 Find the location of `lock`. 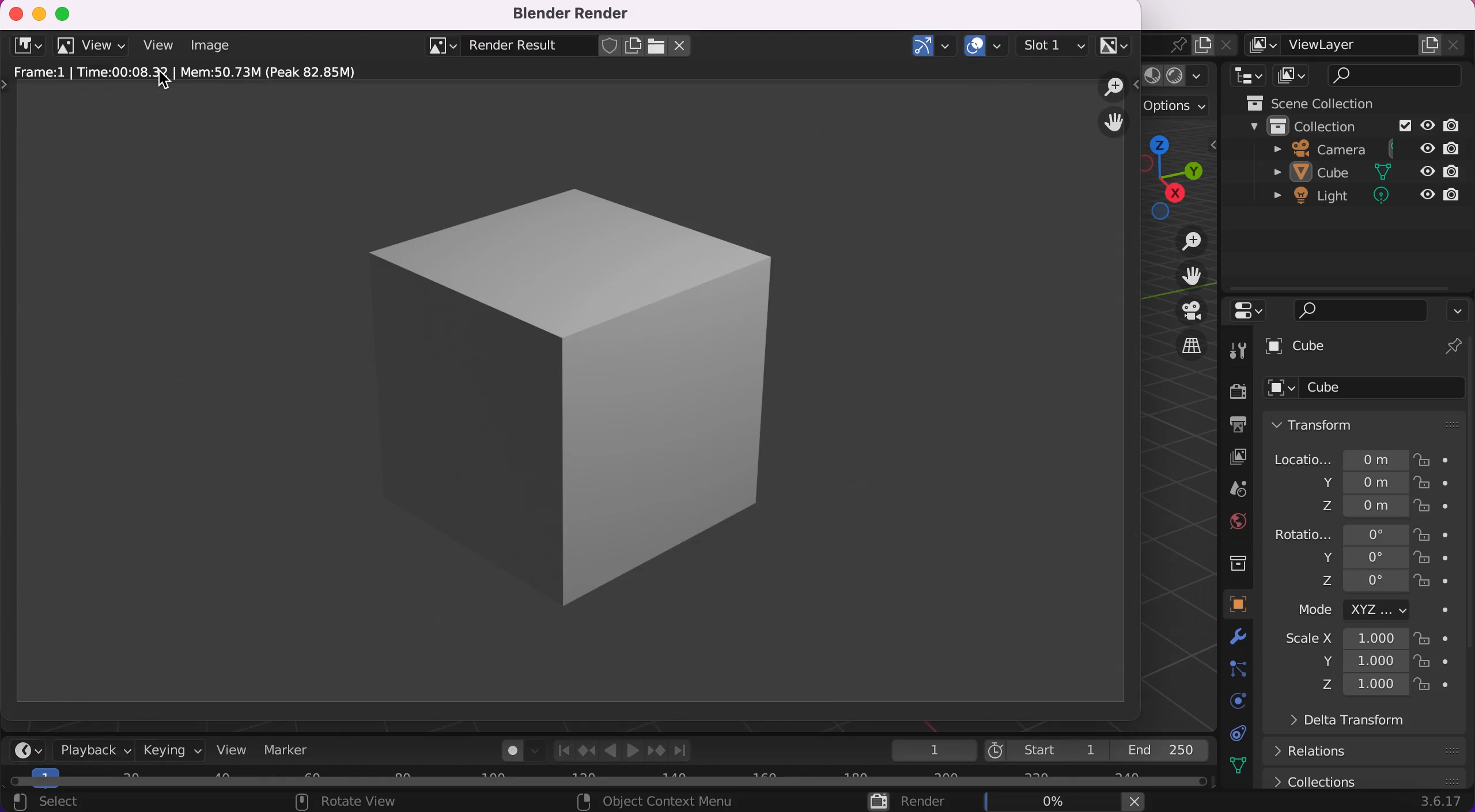

lock is located at coordinates (1434, 504).